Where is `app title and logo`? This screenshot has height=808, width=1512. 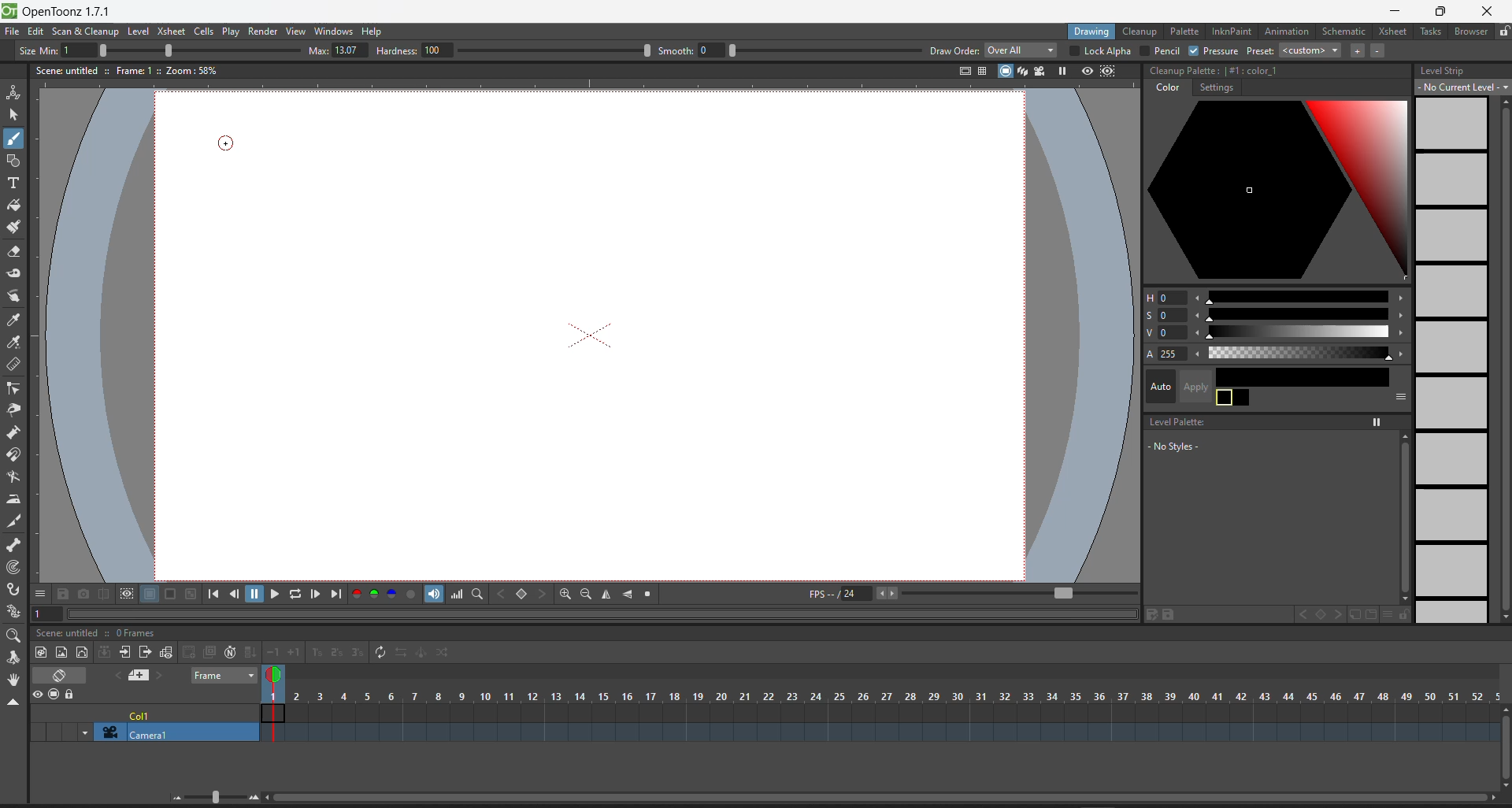
app title and logo is located at coordinates (65, 11).